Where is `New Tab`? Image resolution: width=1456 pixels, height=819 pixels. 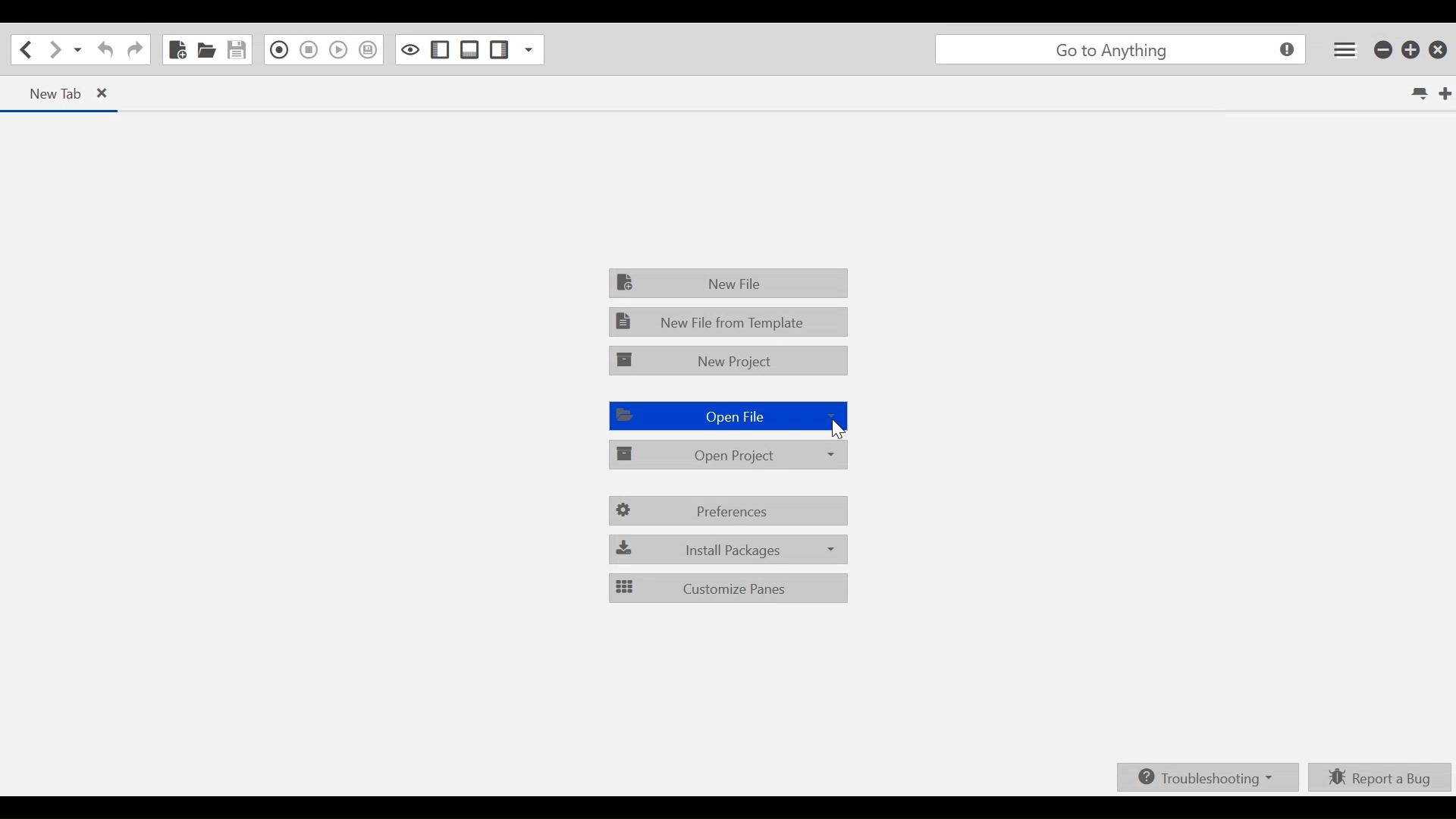
New Tab is located at coordinates (1440, 92).